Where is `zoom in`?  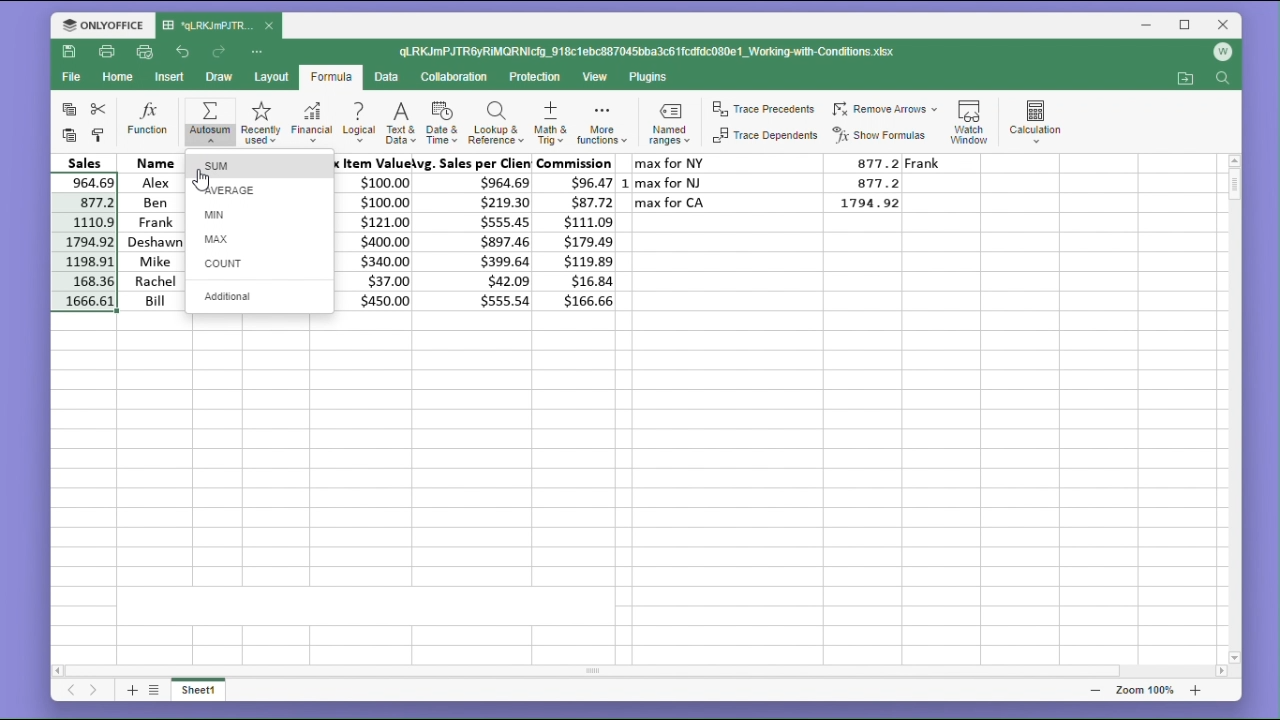
zoom in is located at coordinates (1195, 690).